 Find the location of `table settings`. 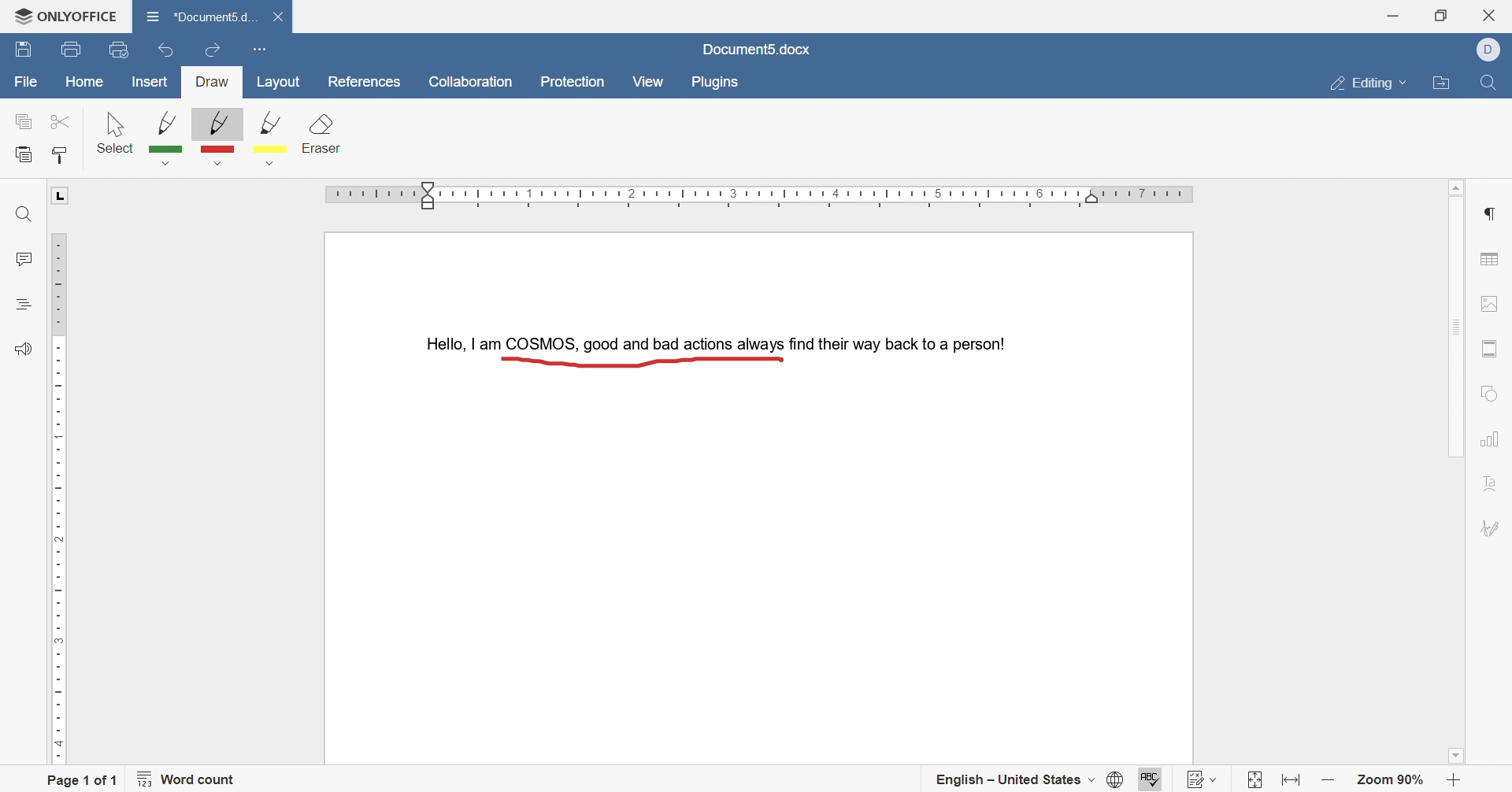

table settings is located at coordinates (1492, 261).